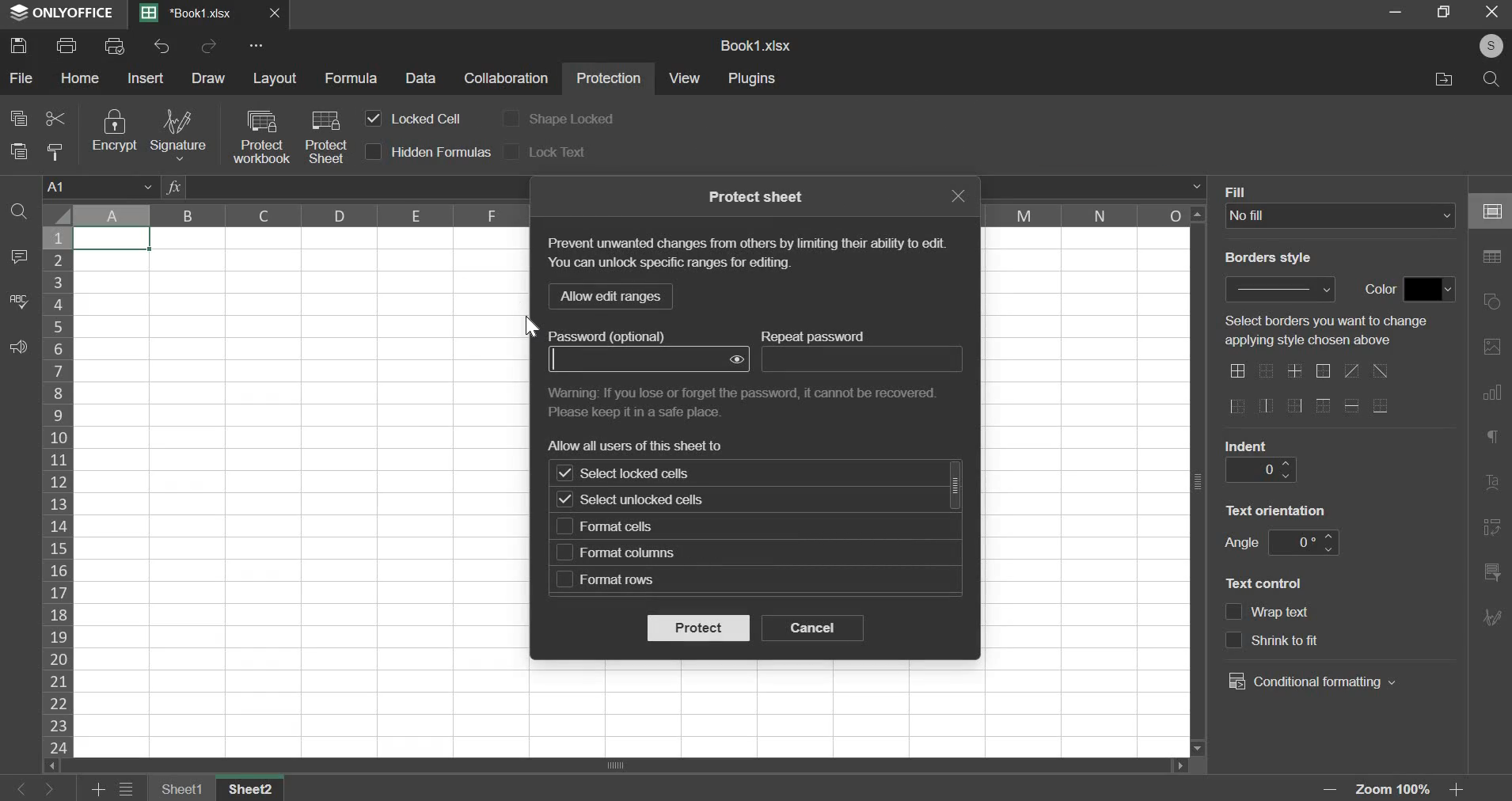 The width and height of the screenshot is (1512, 801). Describe the element at coordinates (1396, 11) in the screenshot. I see `Restore down` at that location.